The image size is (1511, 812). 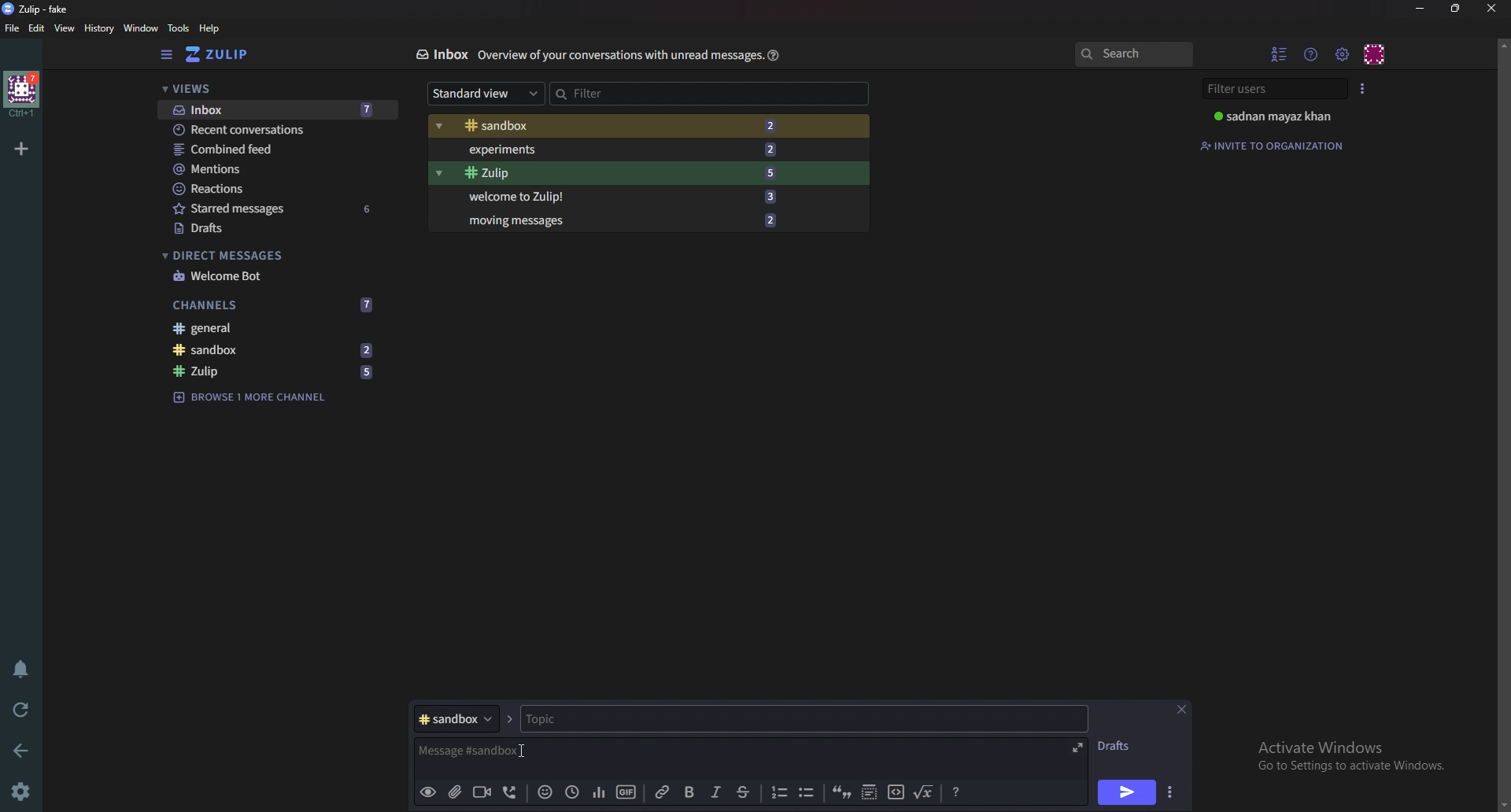 I want to click on Browse channel, so click(x=258, y=396).